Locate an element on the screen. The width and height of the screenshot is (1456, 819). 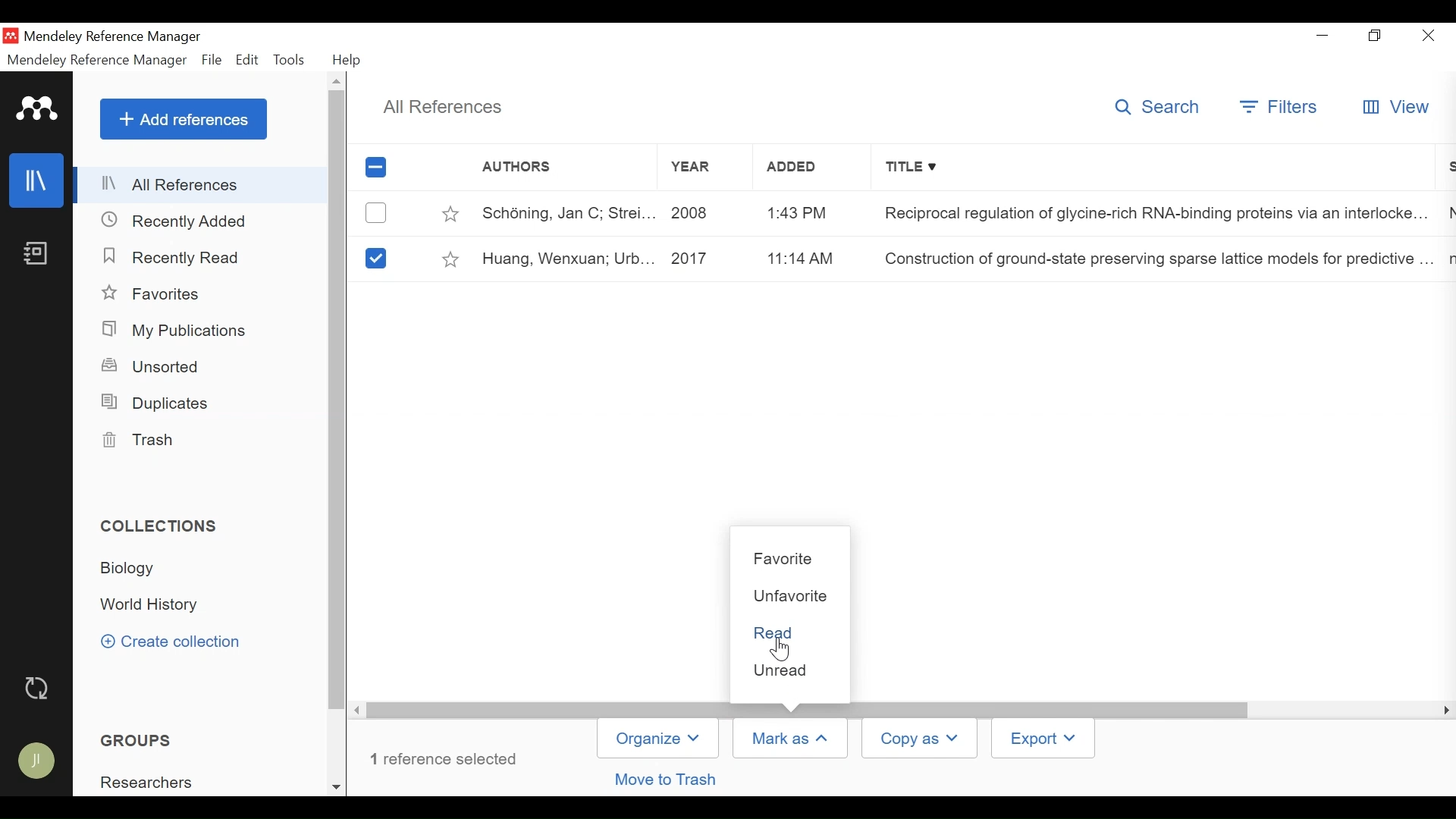
Favorites is located at coordinates (156, 293).